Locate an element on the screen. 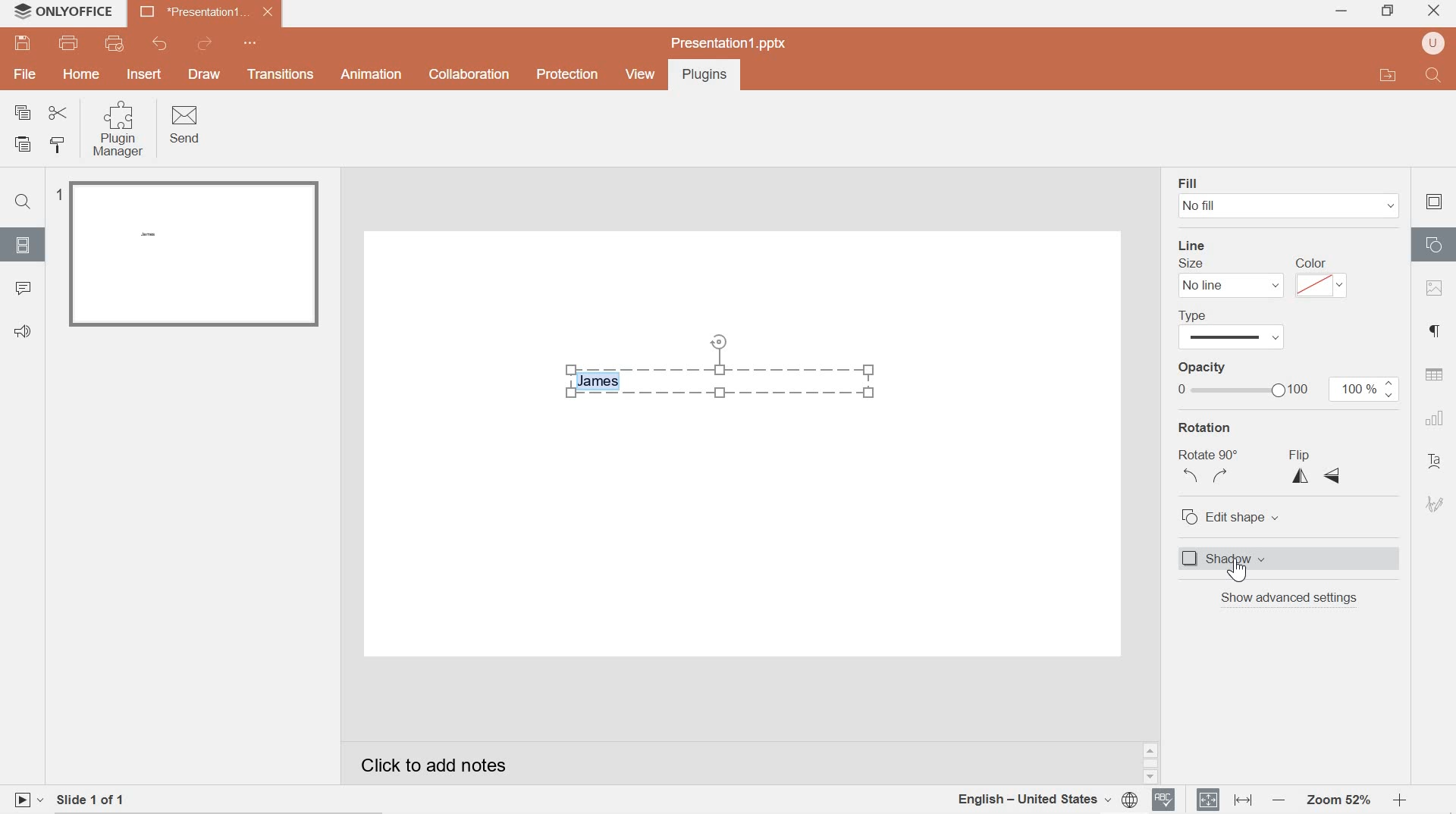 This screenshot has height=814, width=1456. Plugins is located at coordinates (701, 76).